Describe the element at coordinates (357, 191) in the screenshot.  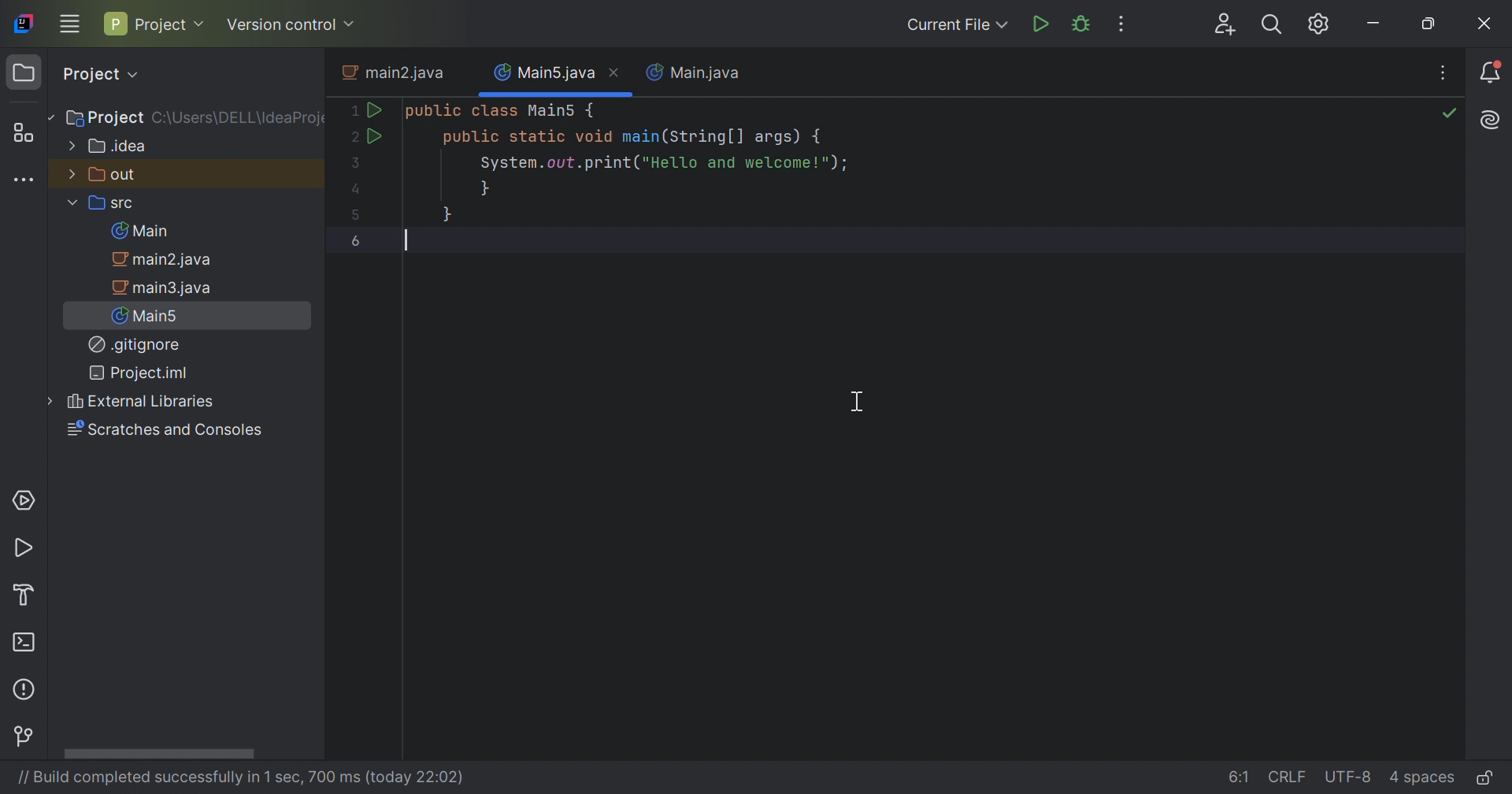
I see `4` at that location.